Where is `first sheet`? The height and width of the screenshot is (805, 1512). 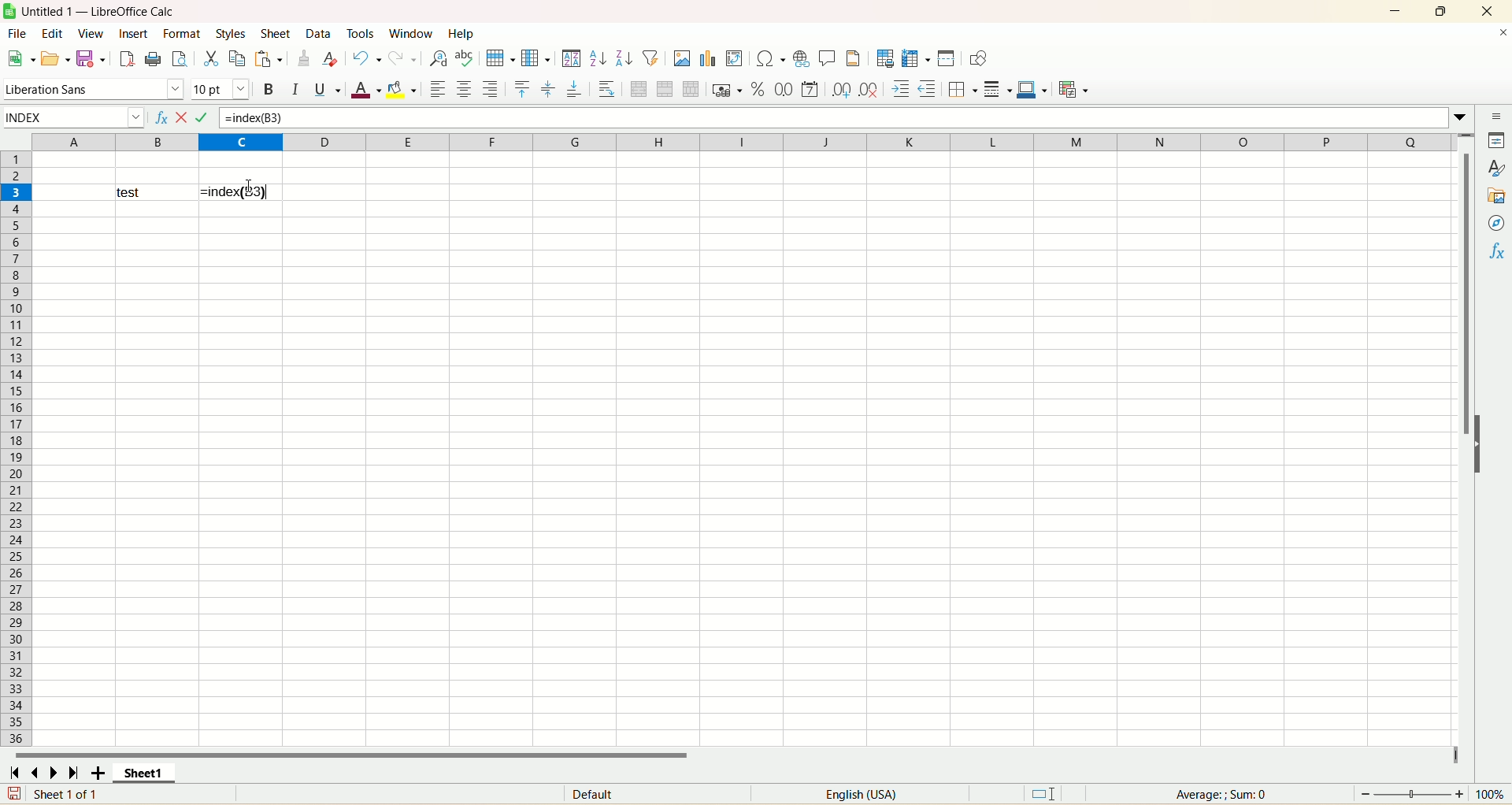 first sheet is located at coordinates (13, 772).